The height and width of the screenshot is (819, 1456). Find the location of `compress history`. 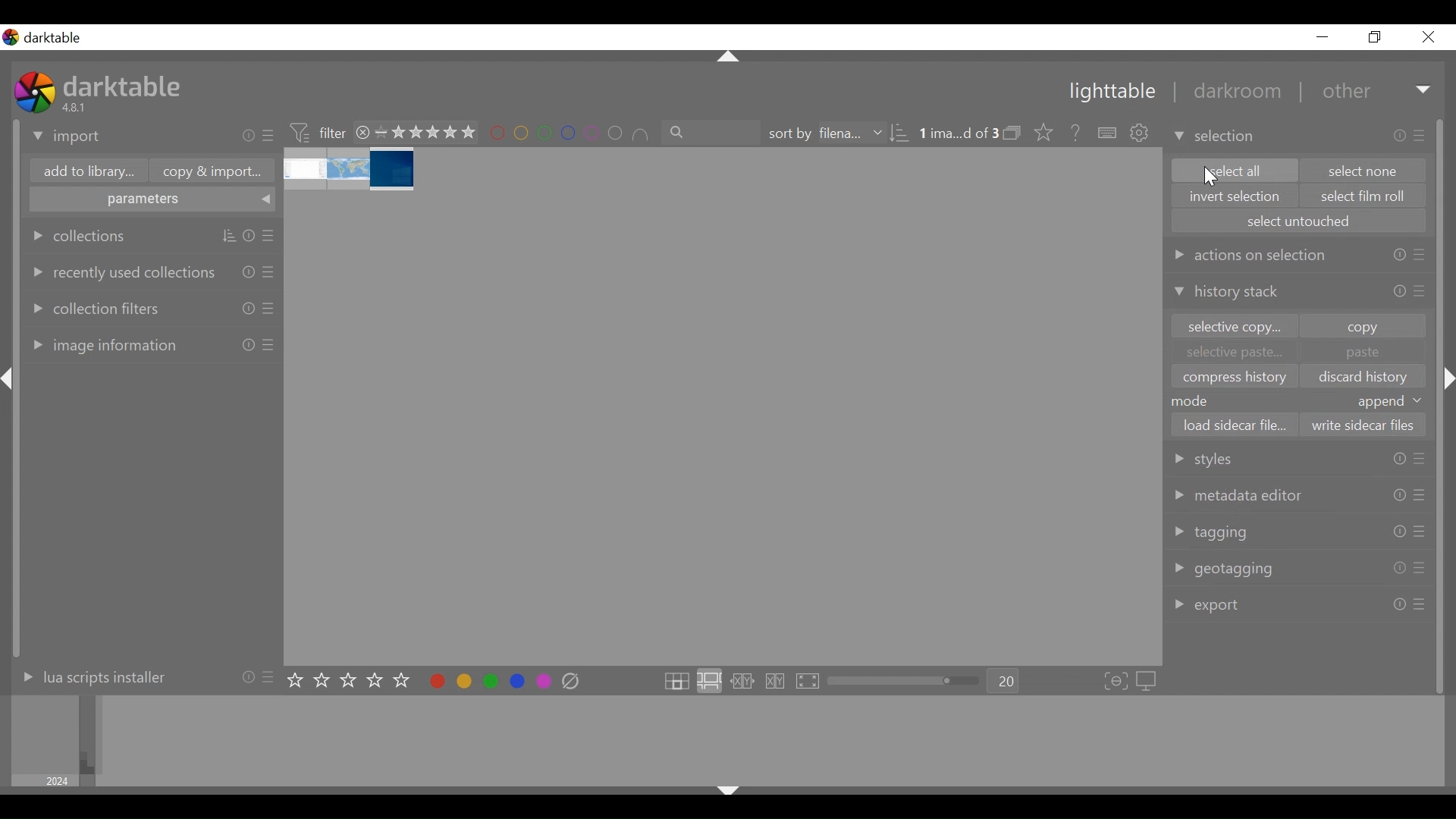

compress history is located at coordinates (1237, 377).